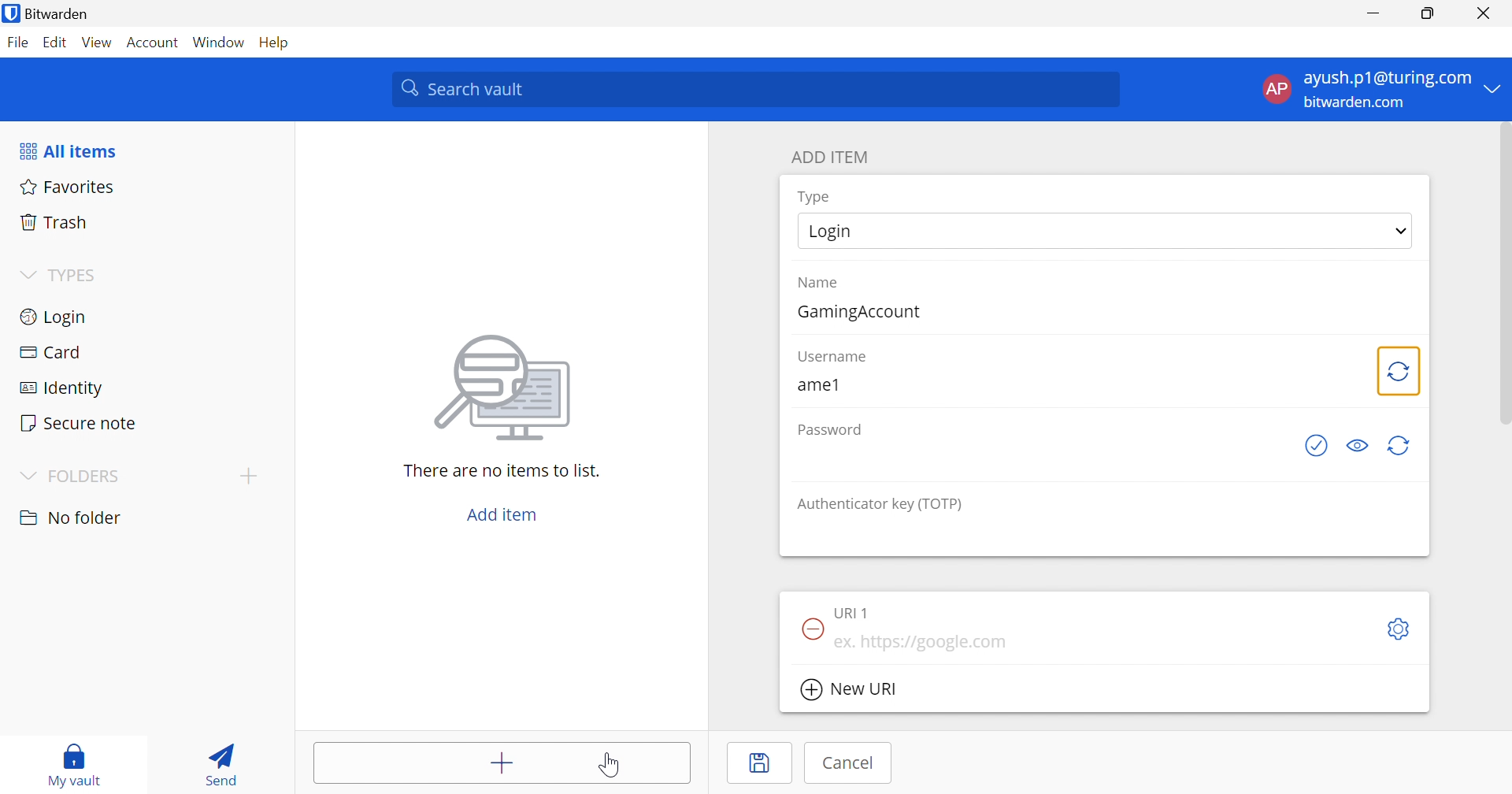 This screenshot has width=1512, height=794. Describe the element at coordinates (55, 317) in the screenshot. I see `Login` at that location.